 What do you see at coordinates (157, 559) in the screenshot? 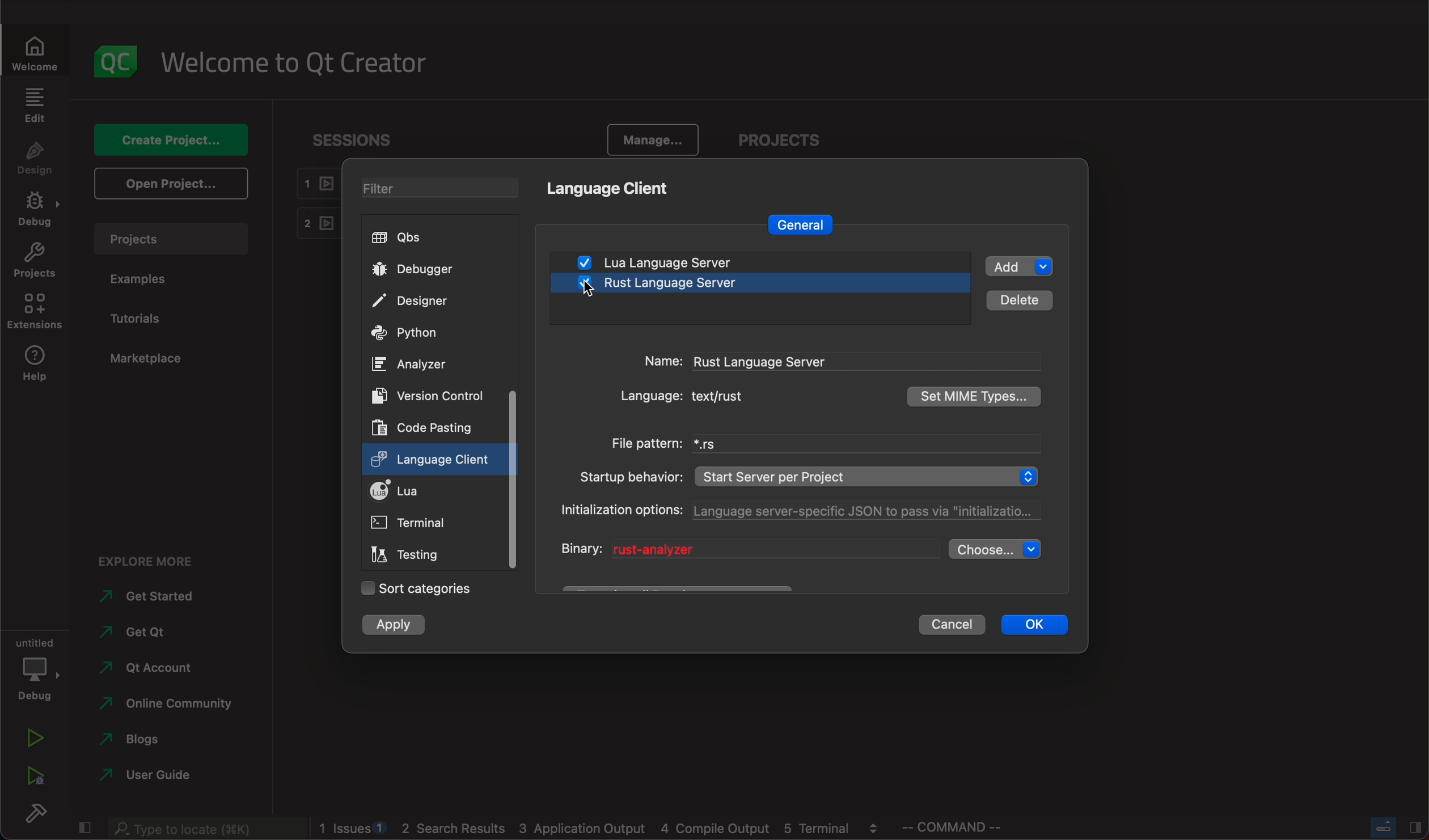
I see `explore more` at bounding box center [157, 559].